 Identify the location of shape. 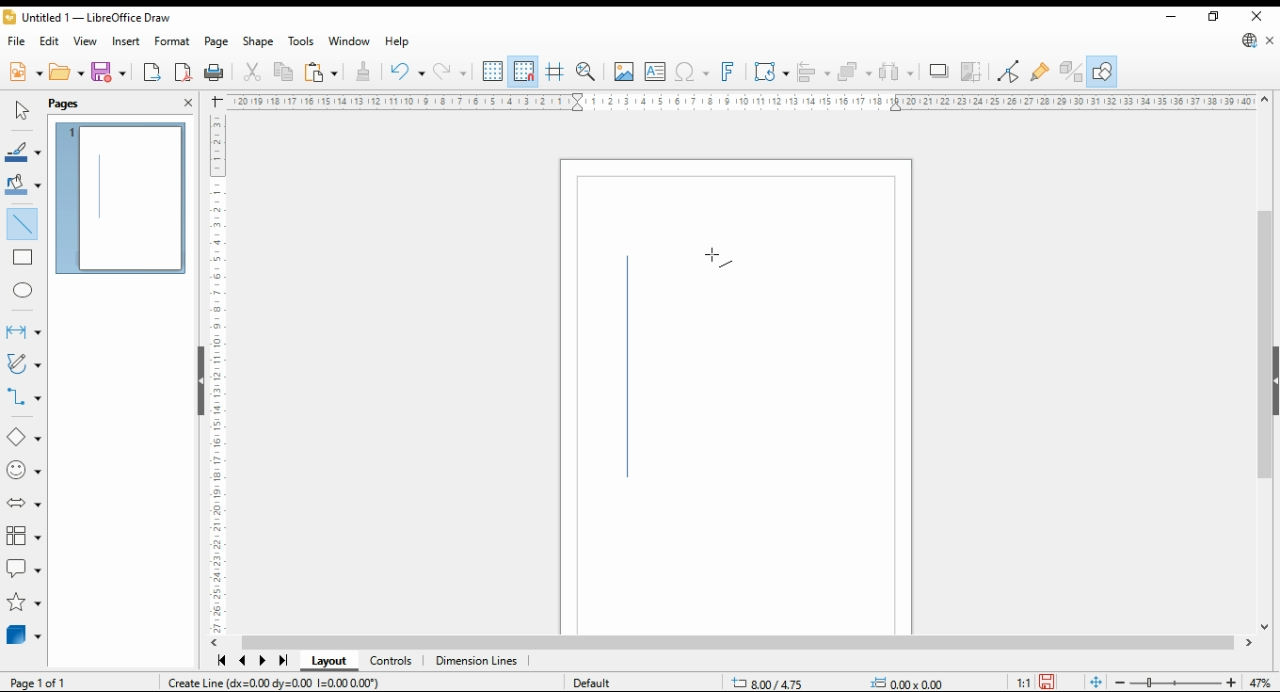
(258, 42).